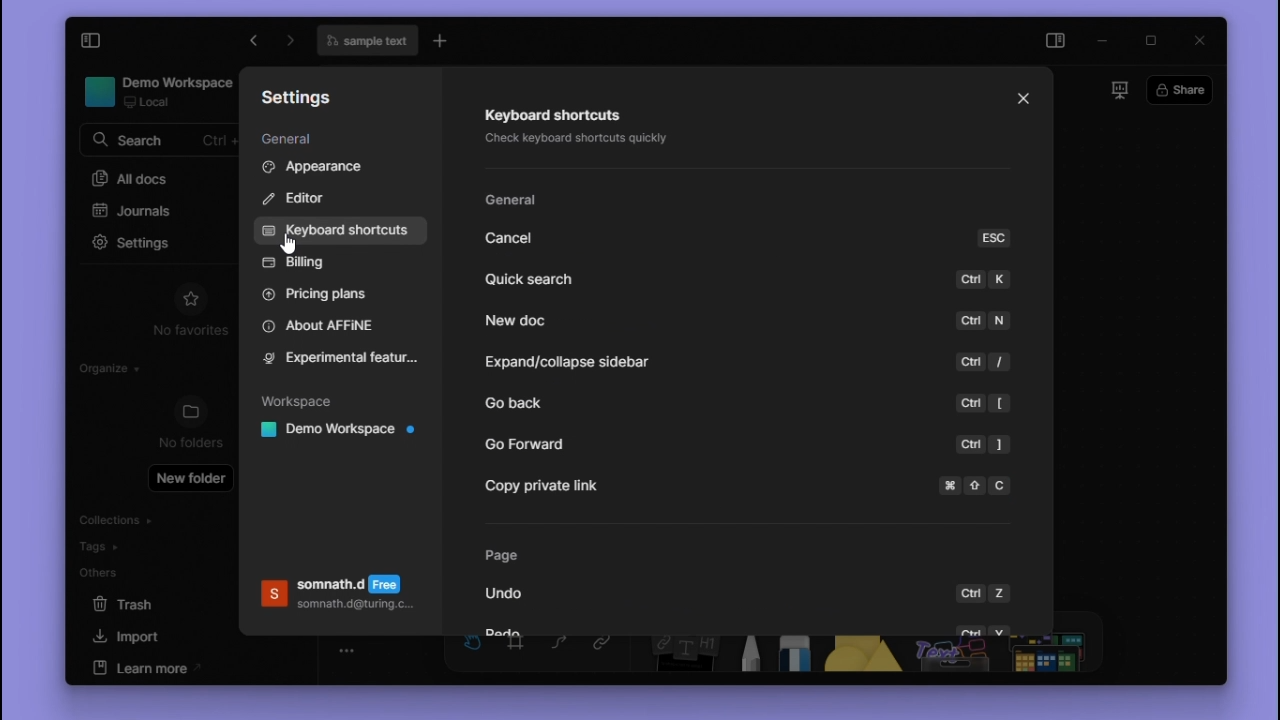 This screenshot has width=1280, height=720. I want to click on import, so click(154, 636).